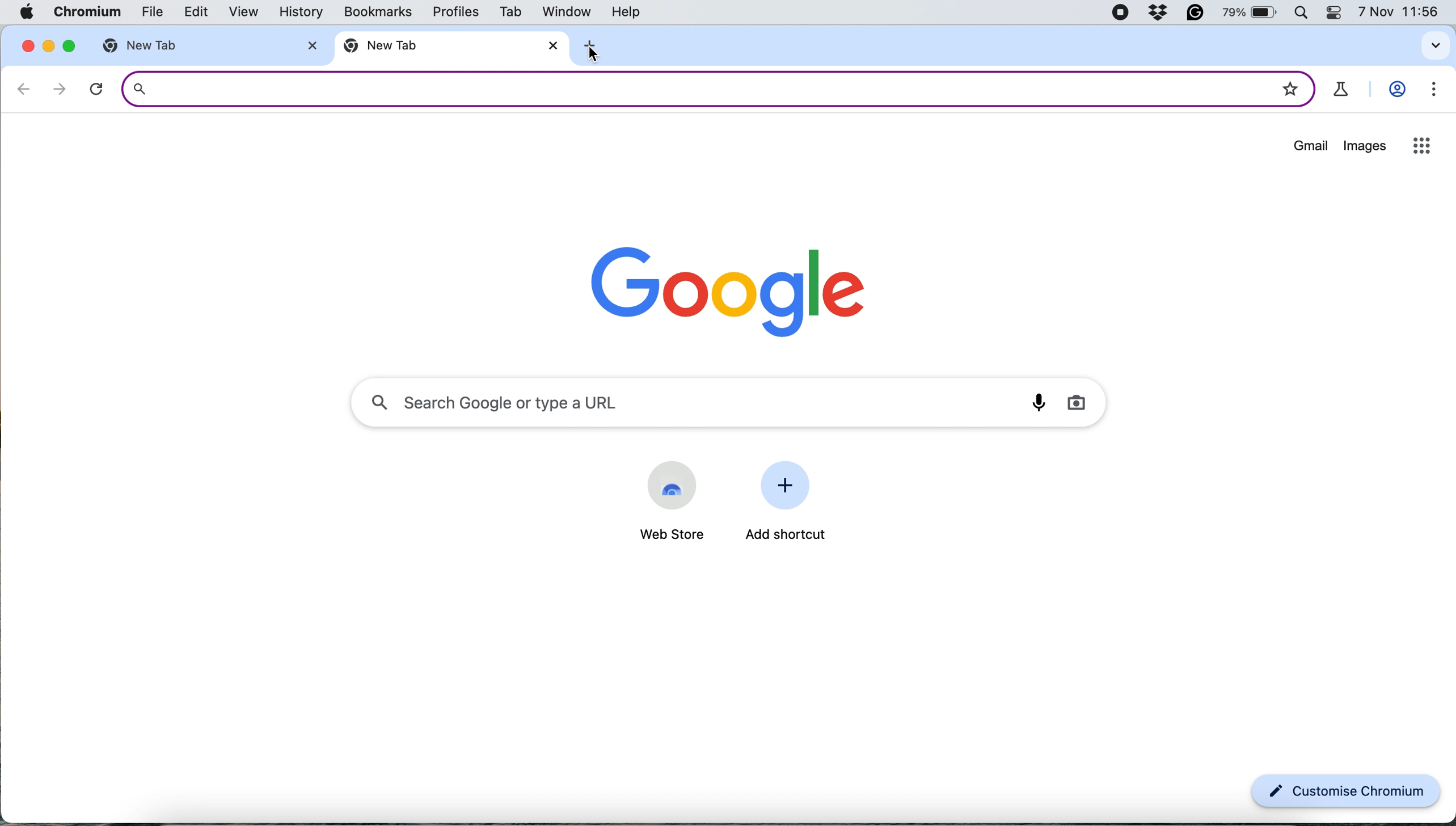  I want to click on profiles, so click(455, 14).